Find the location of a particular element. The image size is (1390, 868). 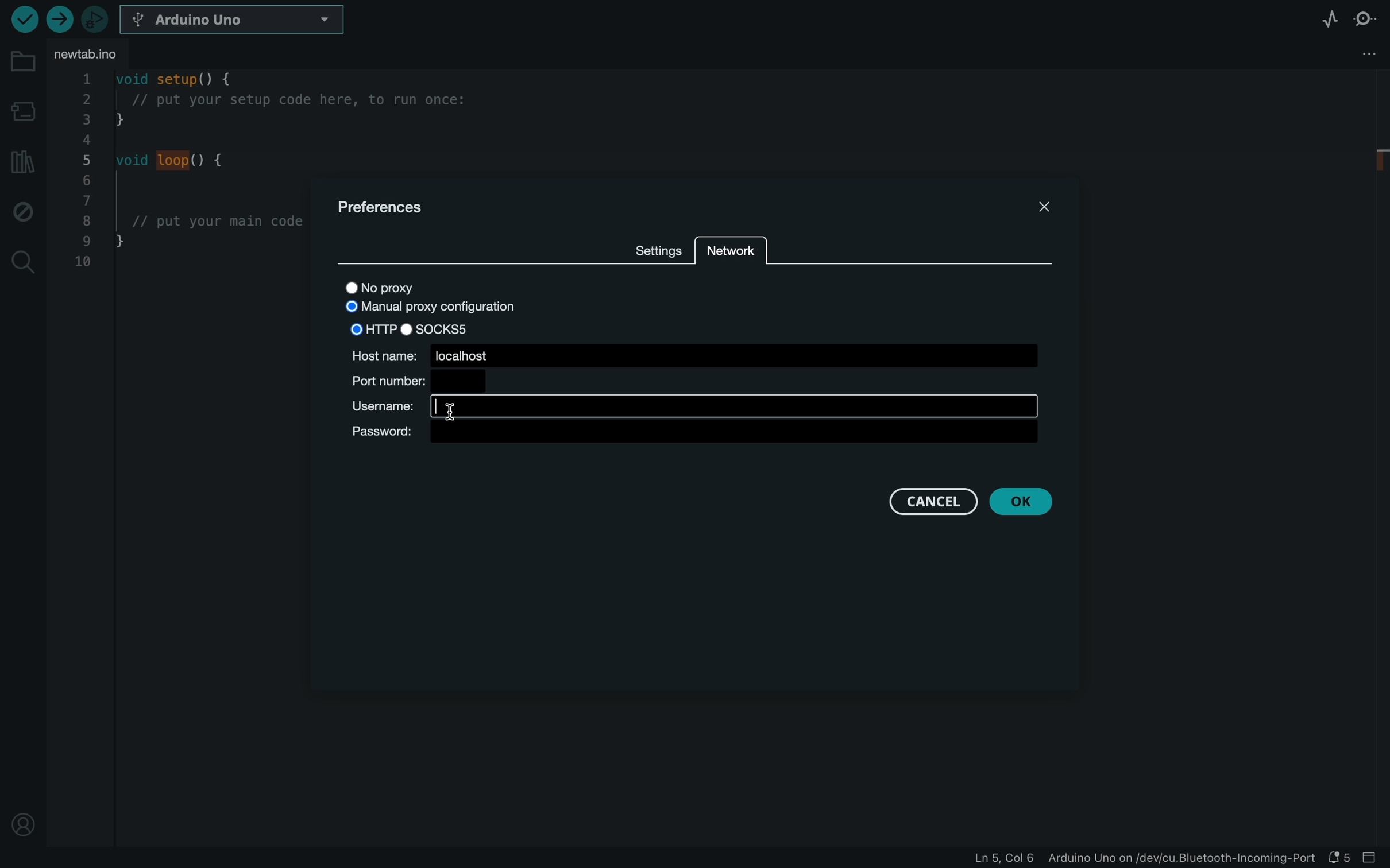

file setting is located at coordinates (1341, 55).